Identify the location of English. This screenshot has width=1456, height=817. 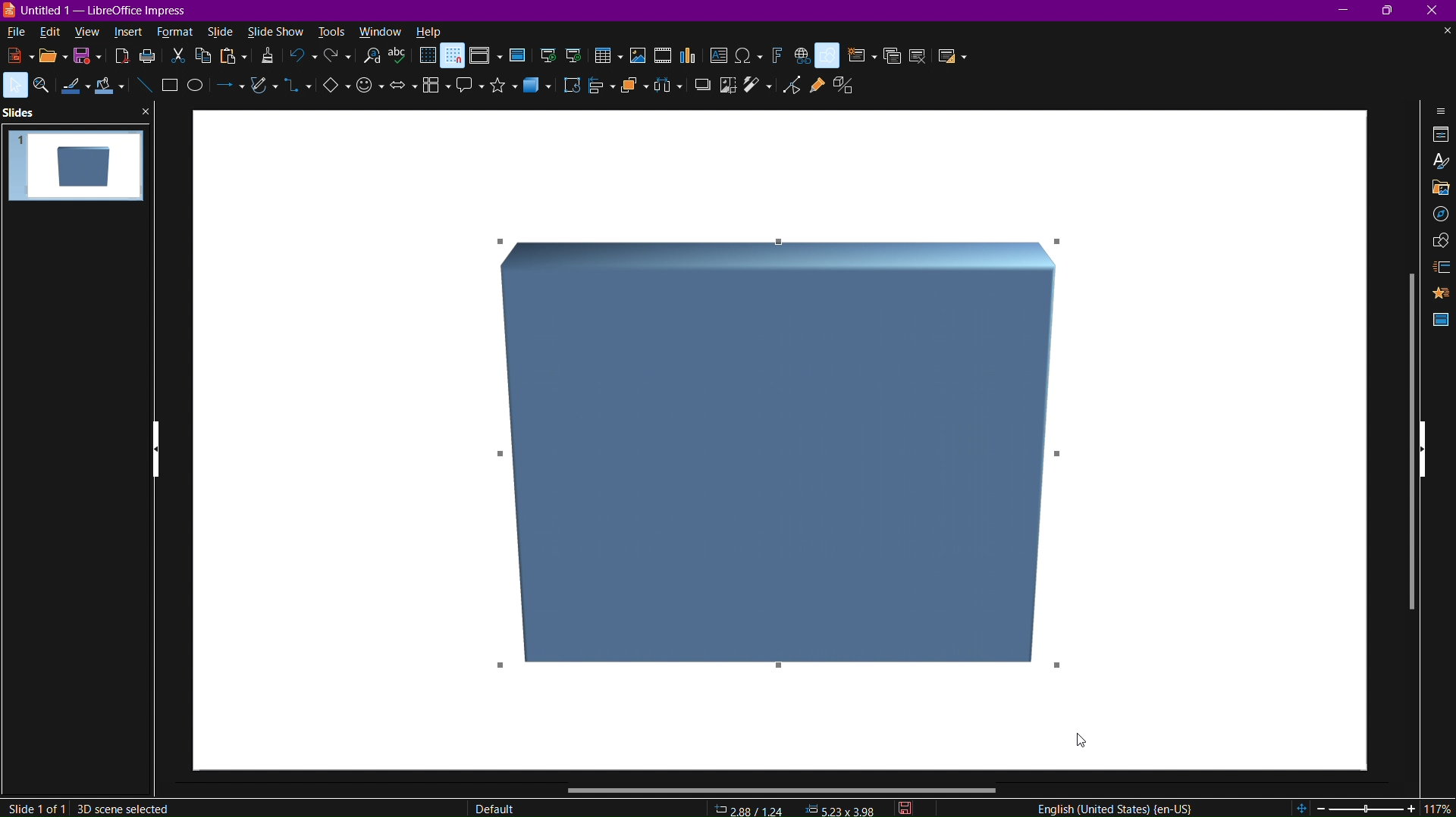
(1111, 806).